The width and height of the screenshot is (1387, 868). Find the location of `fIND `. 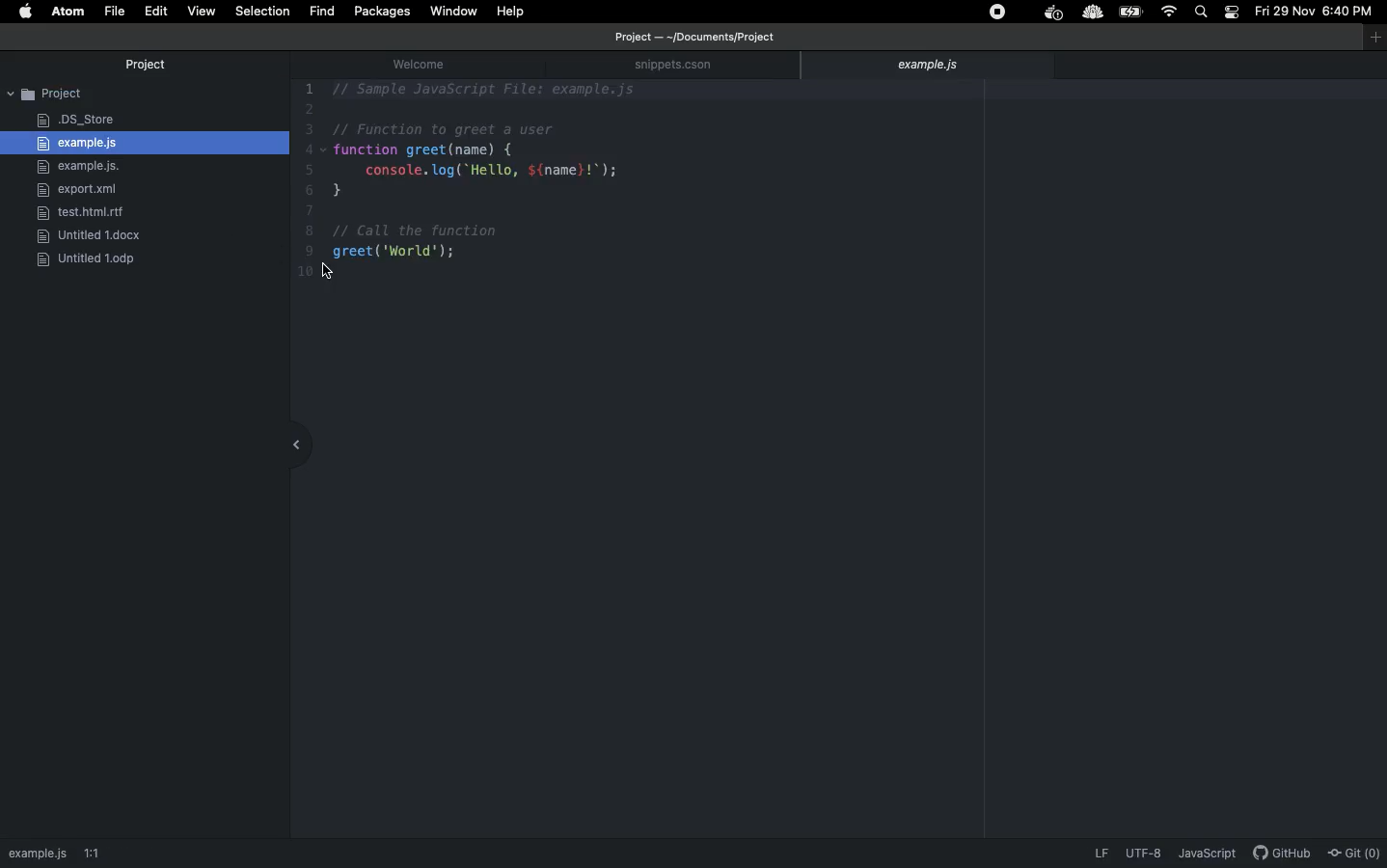

fIND  is located at coordinates (321, 11).